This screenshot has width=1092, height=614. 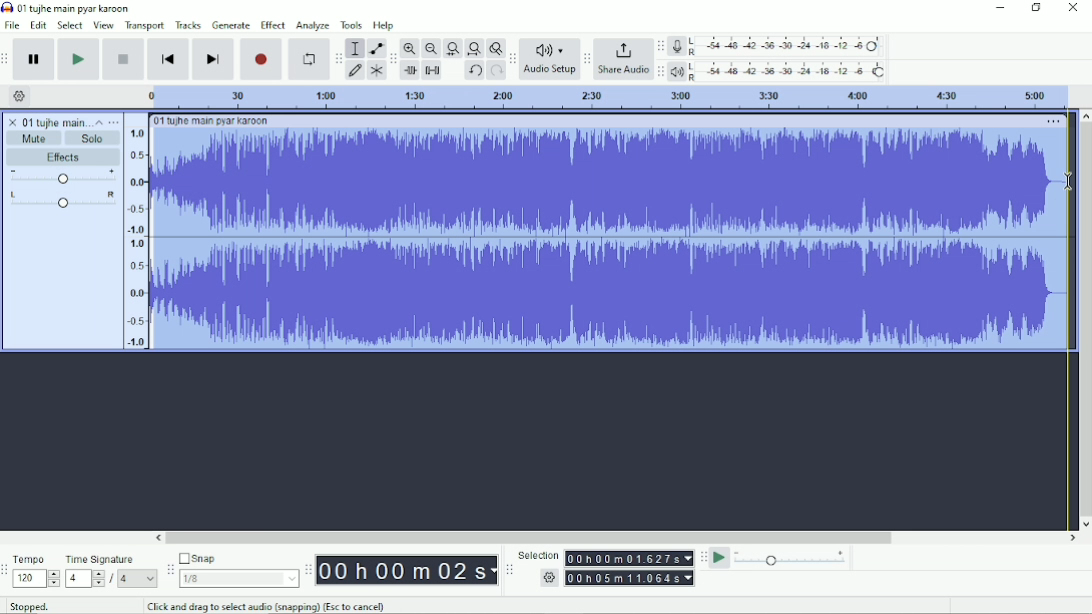 What do you see at coordinates (267, 606) in the screenshot?
I see `Click and drag to select audio` at bounding box center [267, 606].